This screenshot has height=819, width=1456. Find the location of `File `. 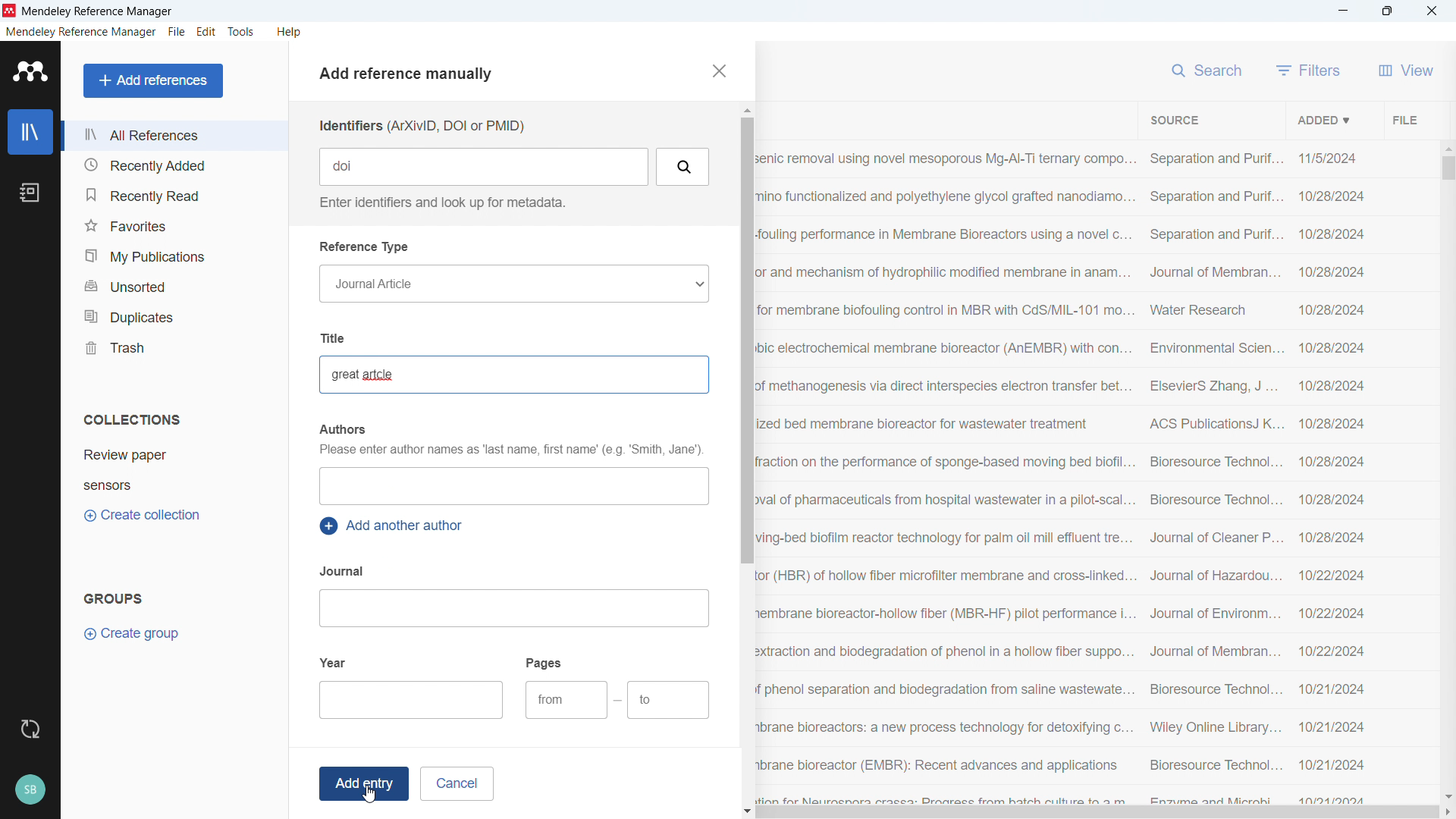

File  is located at coordinates (1403, 119).